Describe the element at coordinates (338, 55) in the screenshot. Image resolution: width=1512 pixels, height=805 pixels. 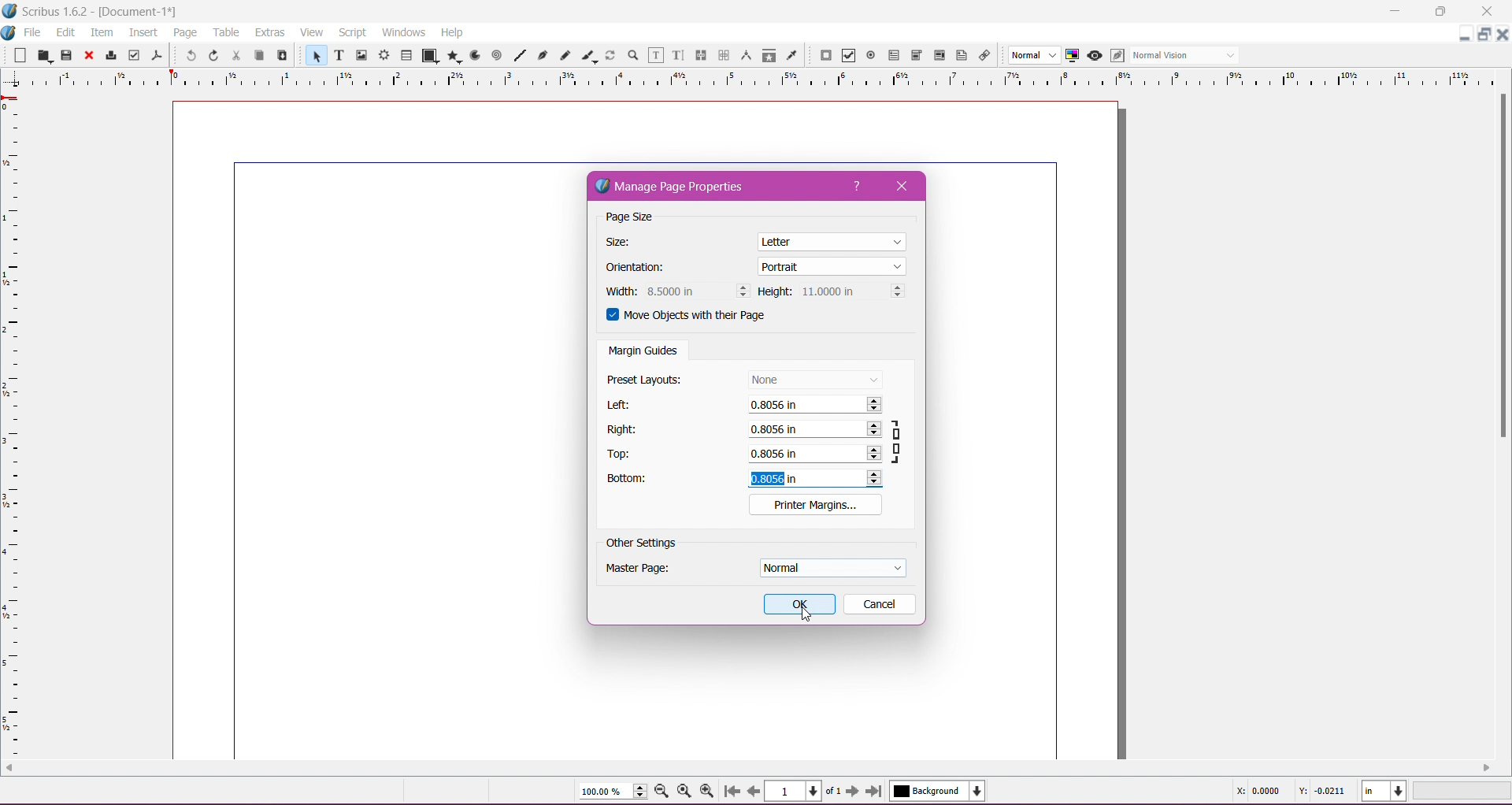
I see `Text Frame` at that location.